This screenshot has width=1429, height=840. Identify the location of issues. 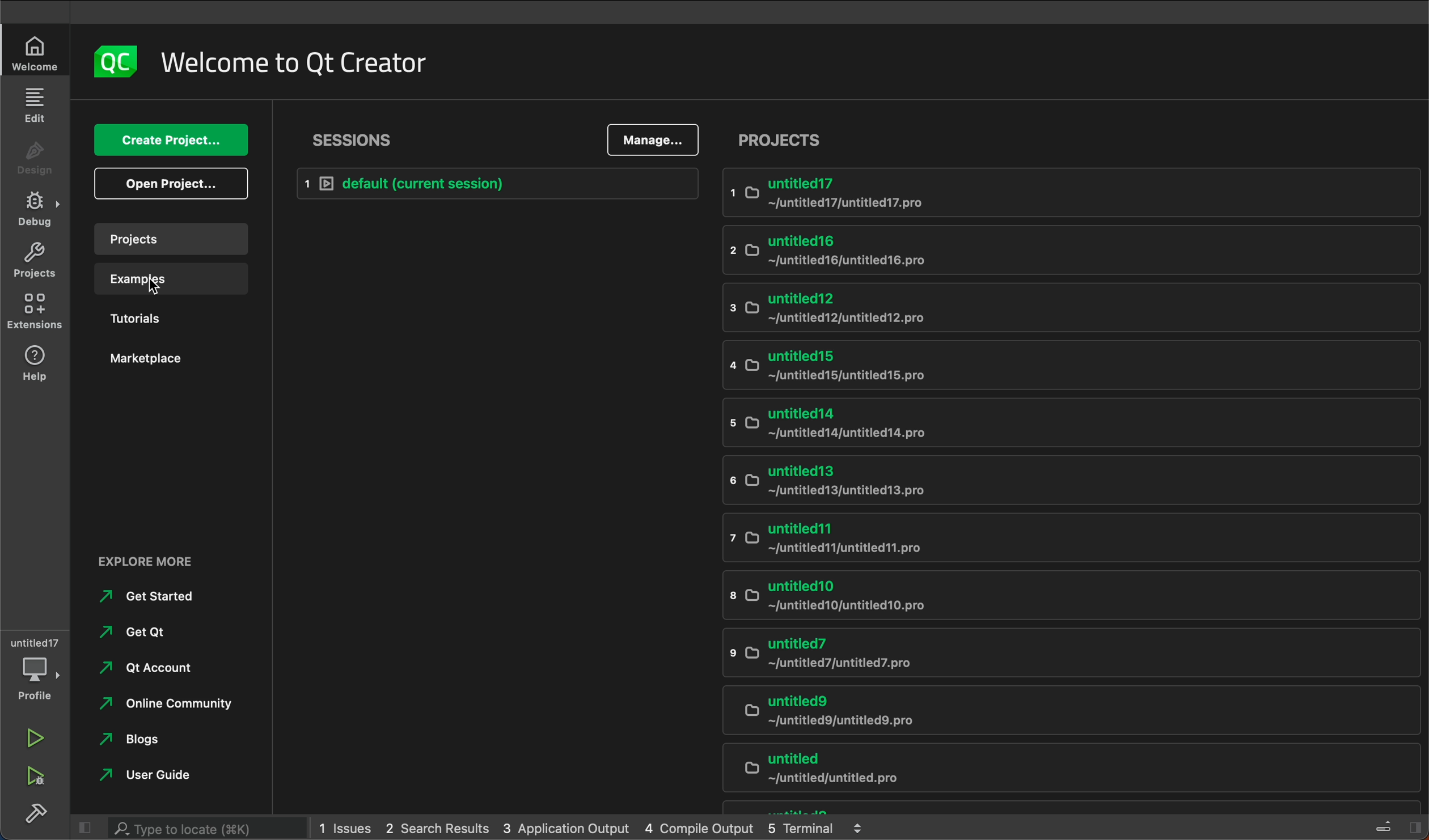
(348, 828).